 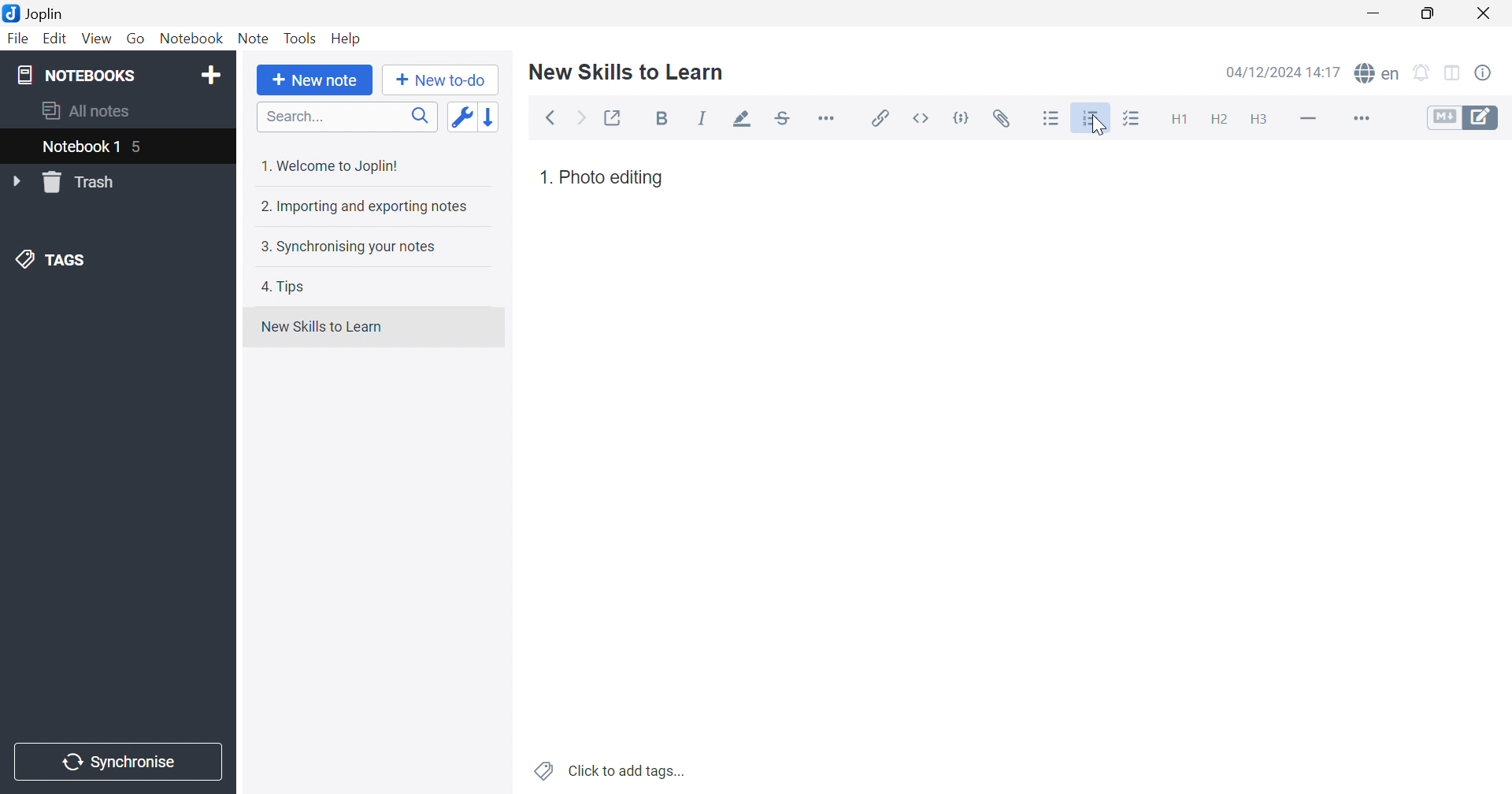 What do you see at coordinates (1484, 14) in the screenshot?
I see `Close` at bounding box center [1484, 14].